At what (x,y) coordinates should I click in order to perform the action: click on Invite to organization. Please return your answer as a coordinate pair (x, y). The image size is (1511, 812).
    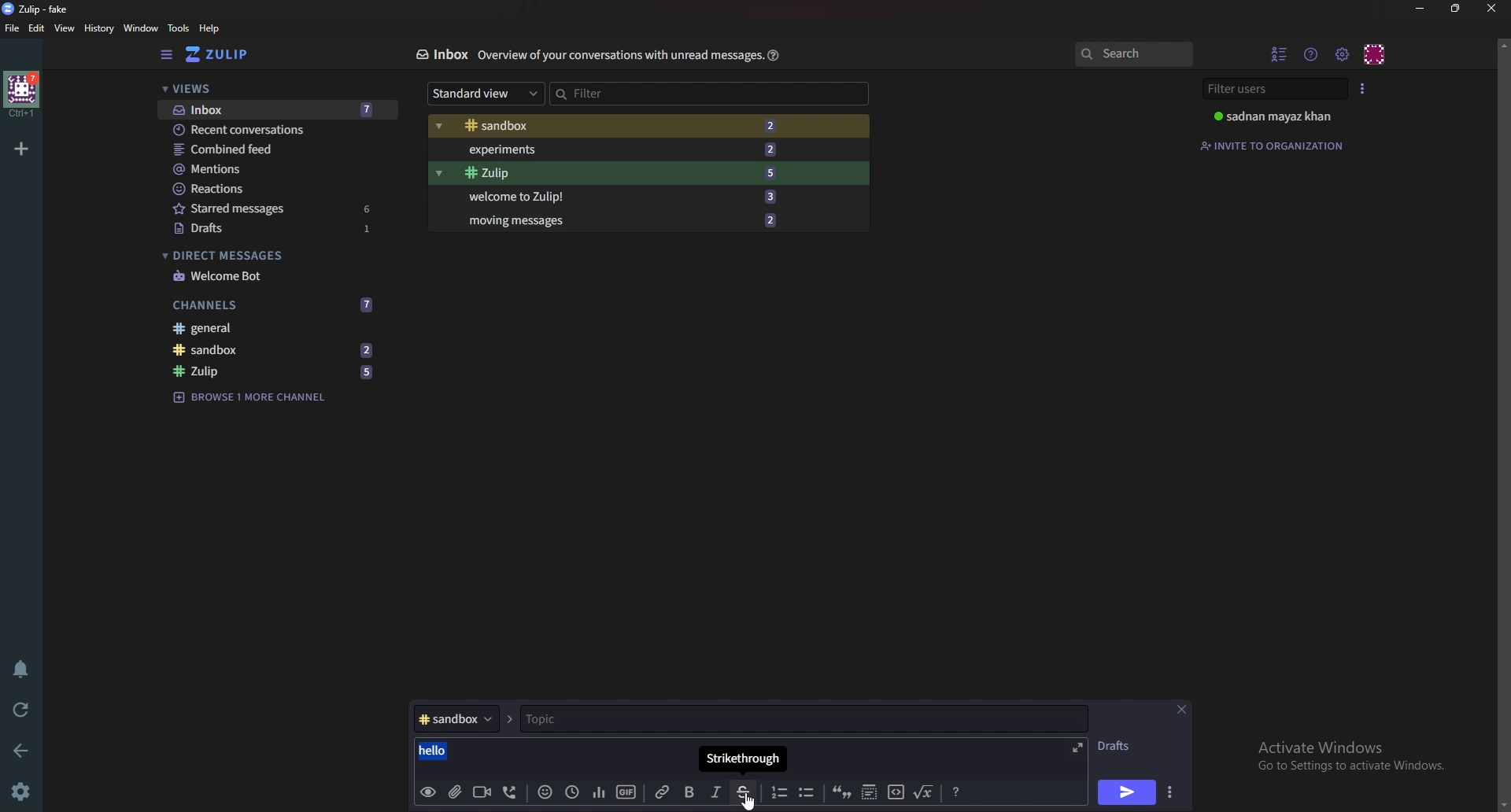
    Looking at the image, I should click on (1277, 145).